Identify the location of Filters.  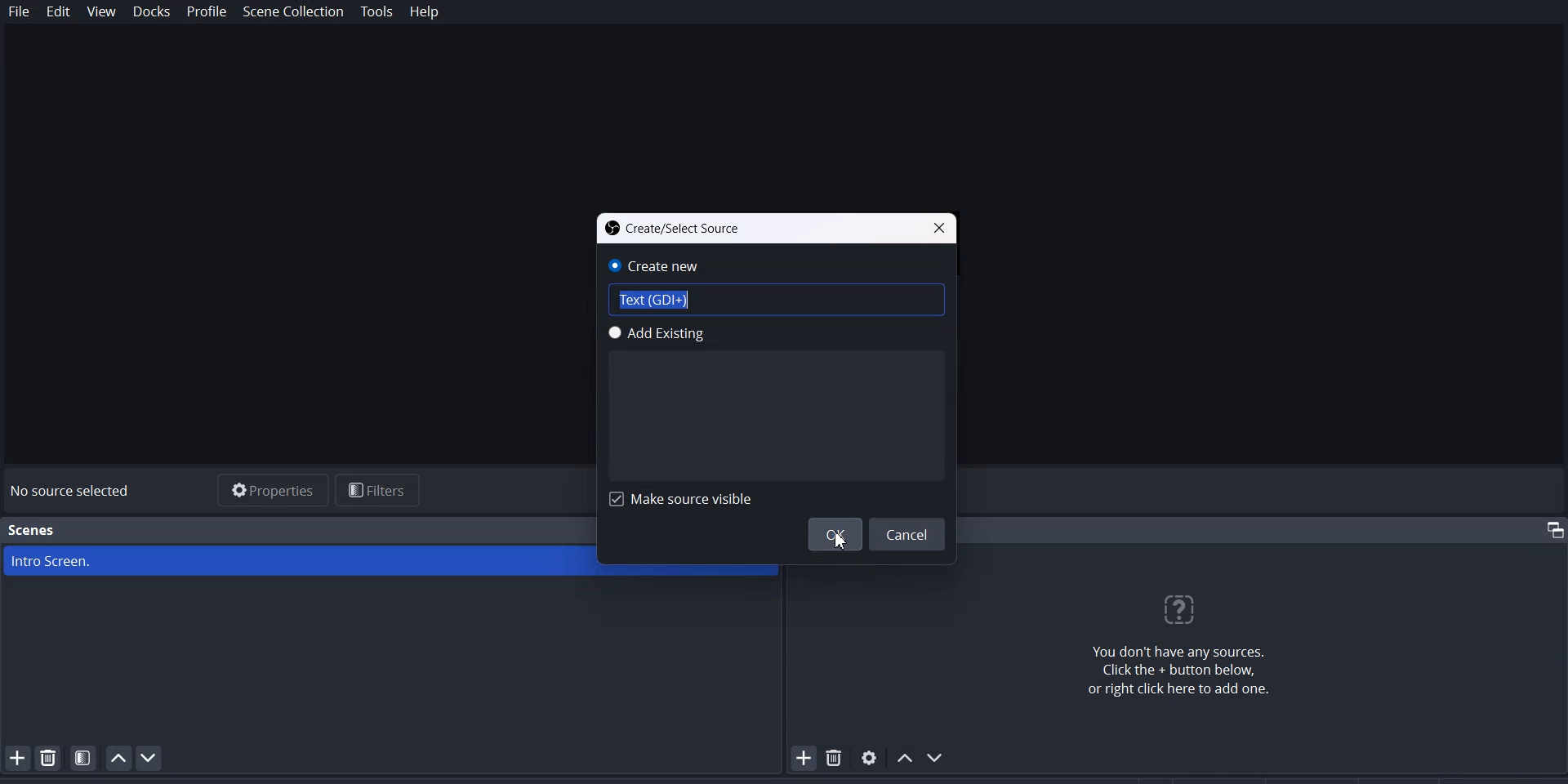
(379, 490).